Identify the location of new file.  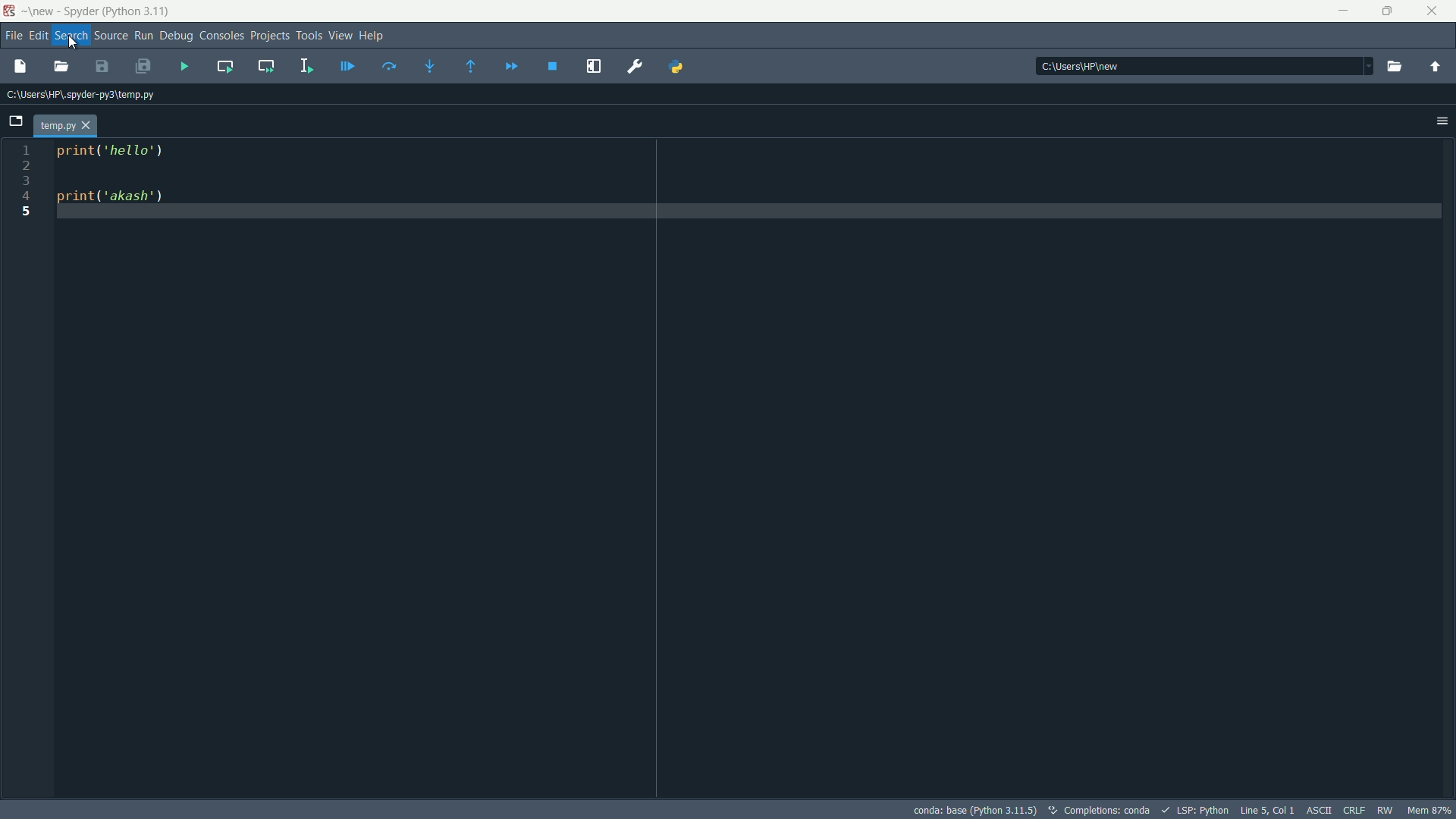
(24, 67).